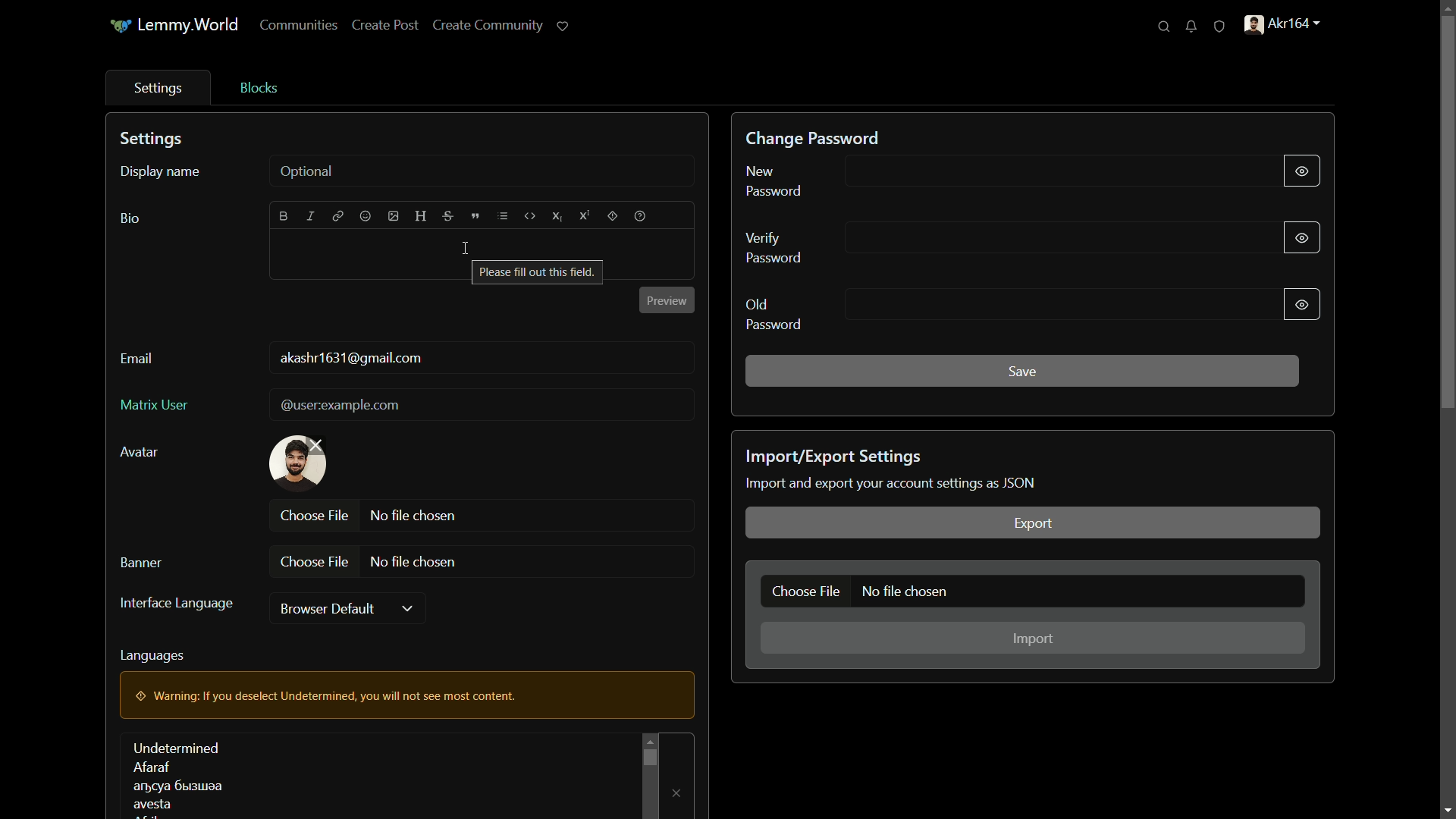  What do you see at coordinates (775, 181) in the screenshot?
I see `new password` at bounding box center [775, 181].